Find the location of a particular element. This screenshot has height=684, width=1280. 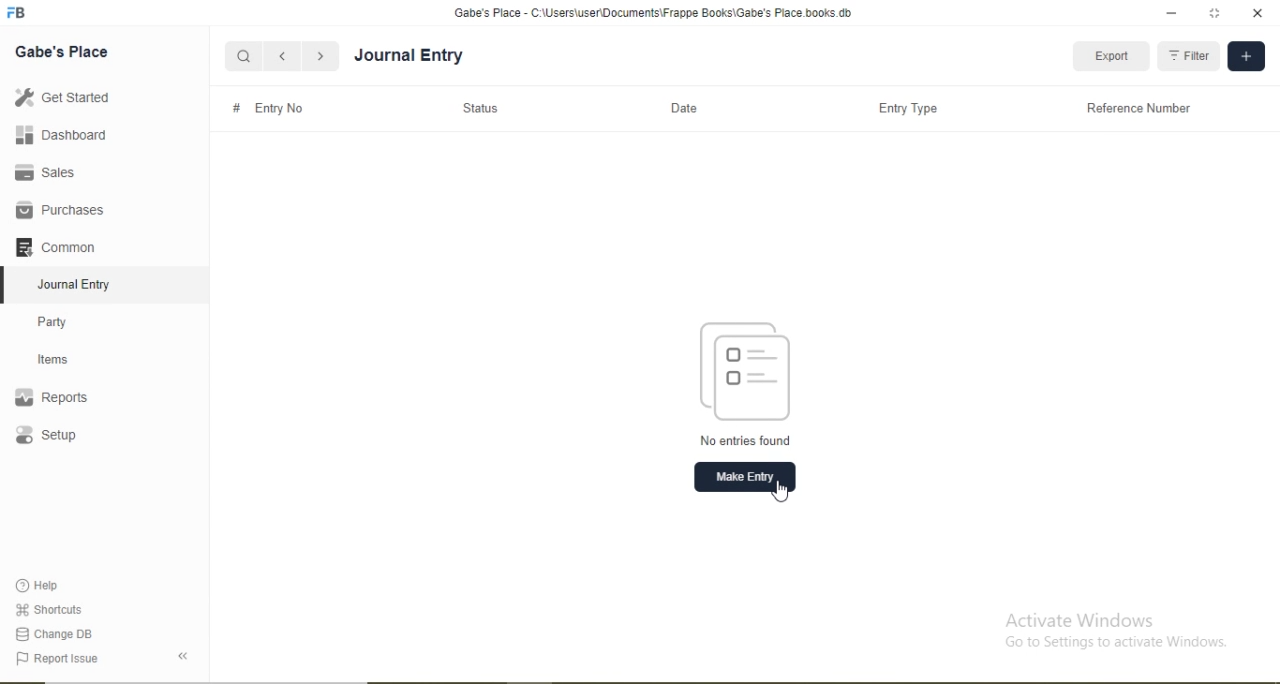

Change DB is located at coordinates (55, 633).